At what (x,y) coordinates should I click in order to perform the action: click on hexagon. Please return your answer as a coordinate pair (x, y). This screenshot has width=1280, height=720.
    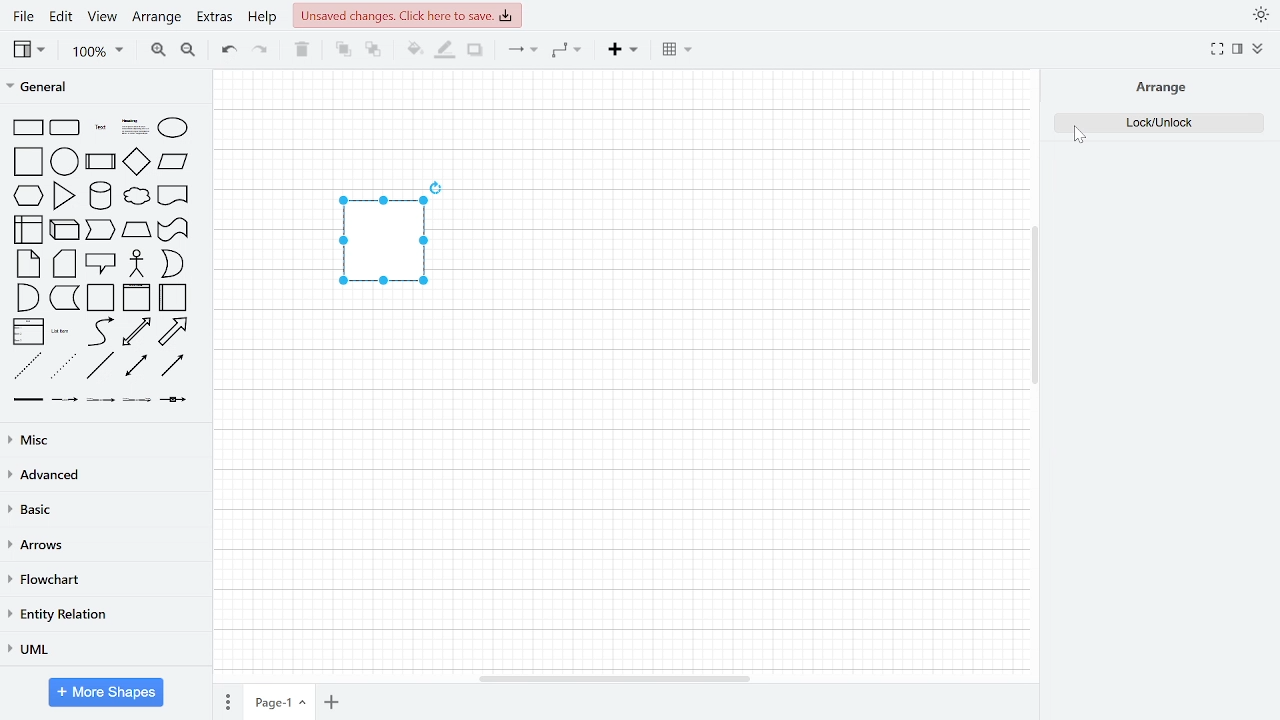
    Looking at the image, I should click on (27, 195).